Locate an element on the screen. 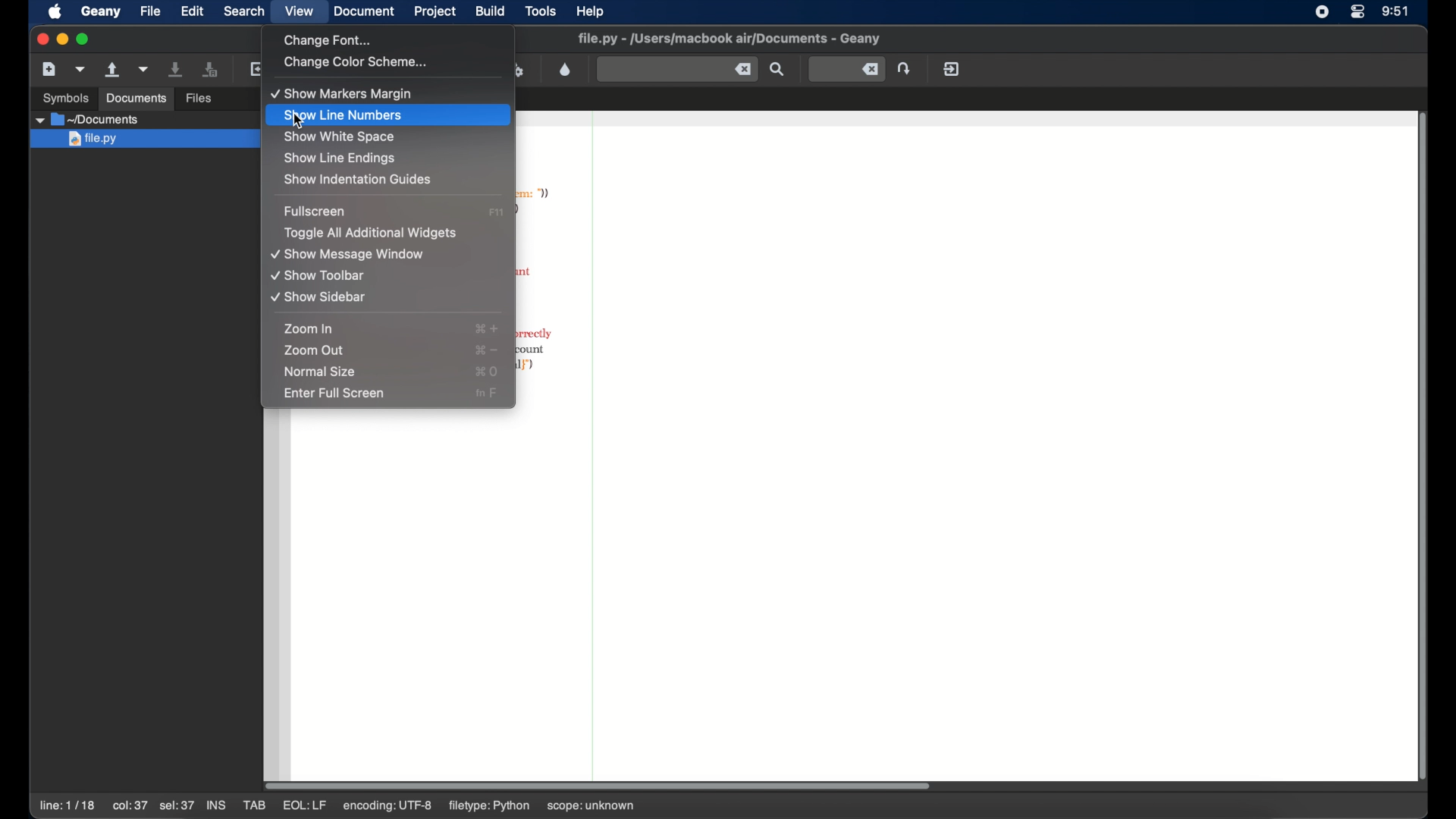  line: 1/18 is located at coordinates (67, 805).